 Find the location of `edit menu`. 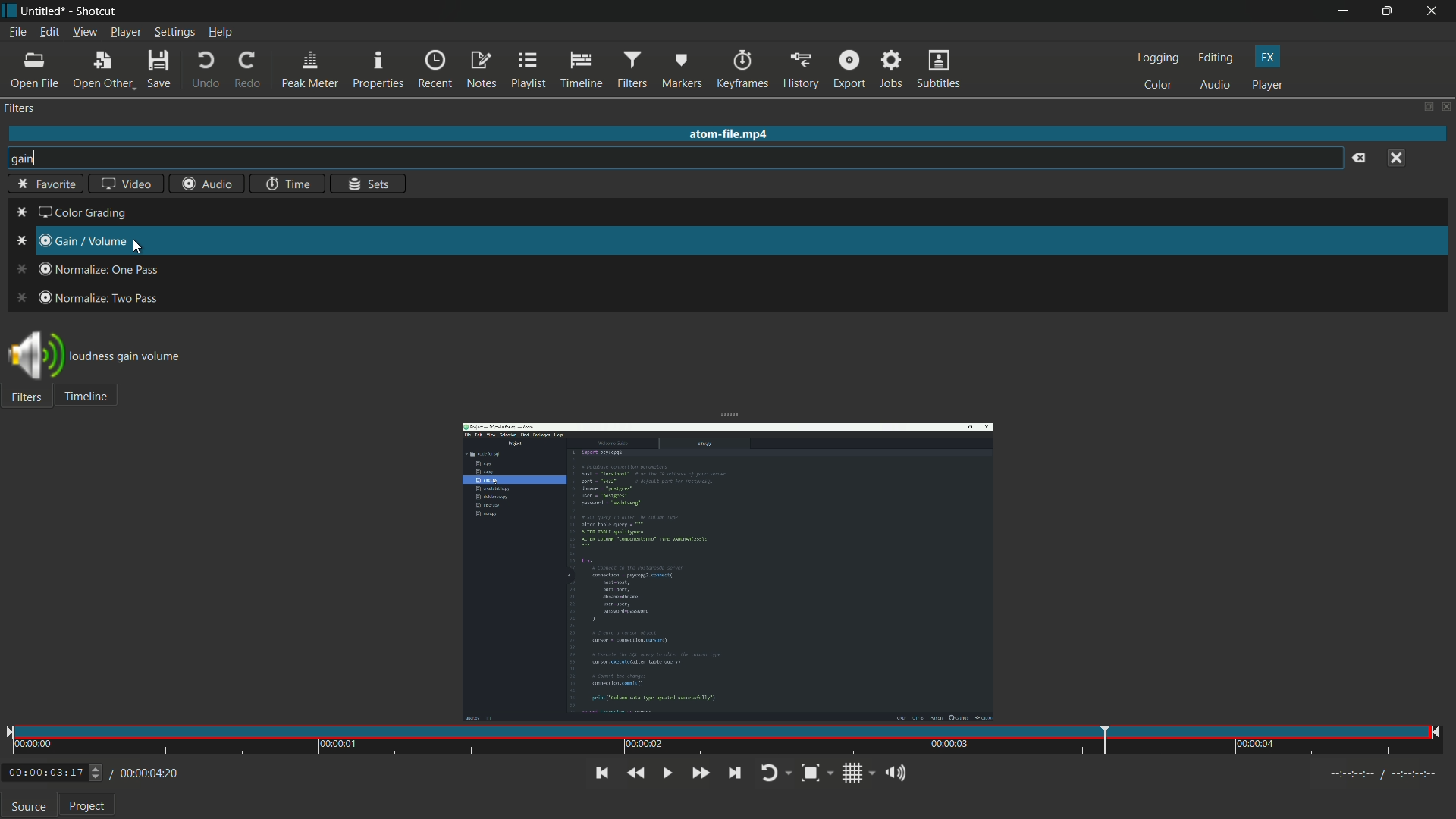

edit menu is located at coordinates (49, 33).